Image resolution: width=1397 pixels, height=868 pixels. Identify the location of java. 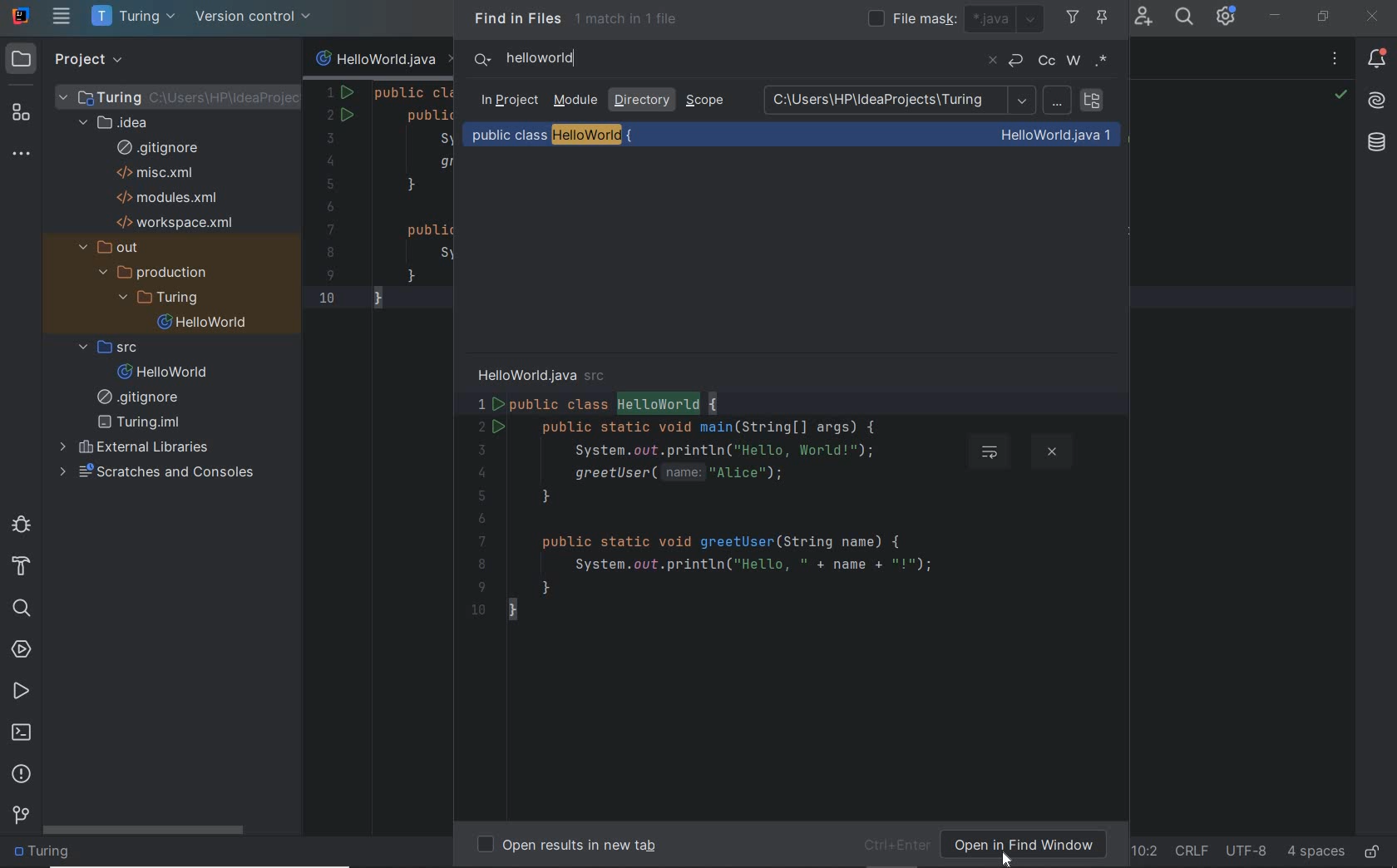
(1009, 21).